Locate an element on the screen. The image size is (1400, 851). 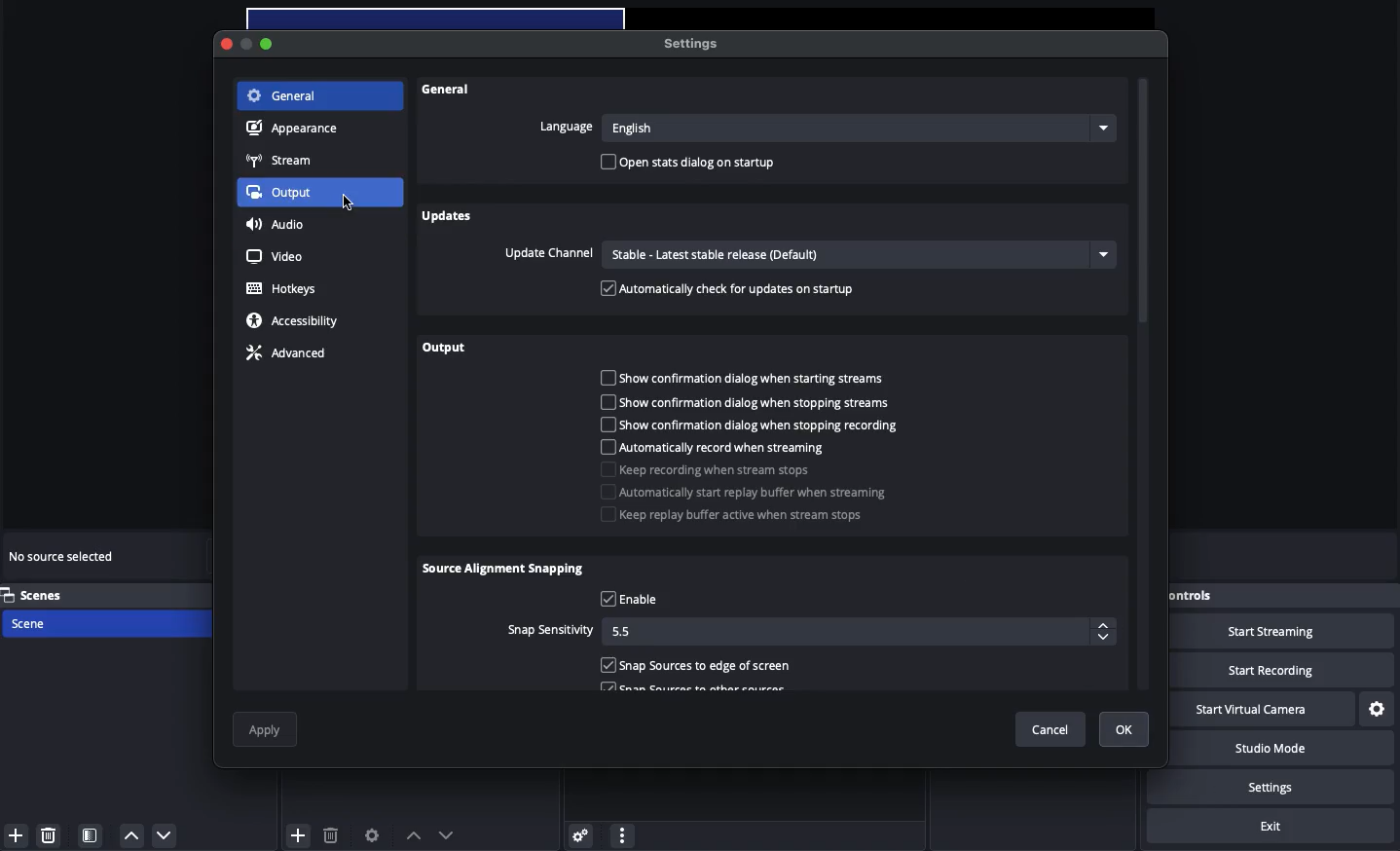
Update channel is located at coordinates (806, 255).